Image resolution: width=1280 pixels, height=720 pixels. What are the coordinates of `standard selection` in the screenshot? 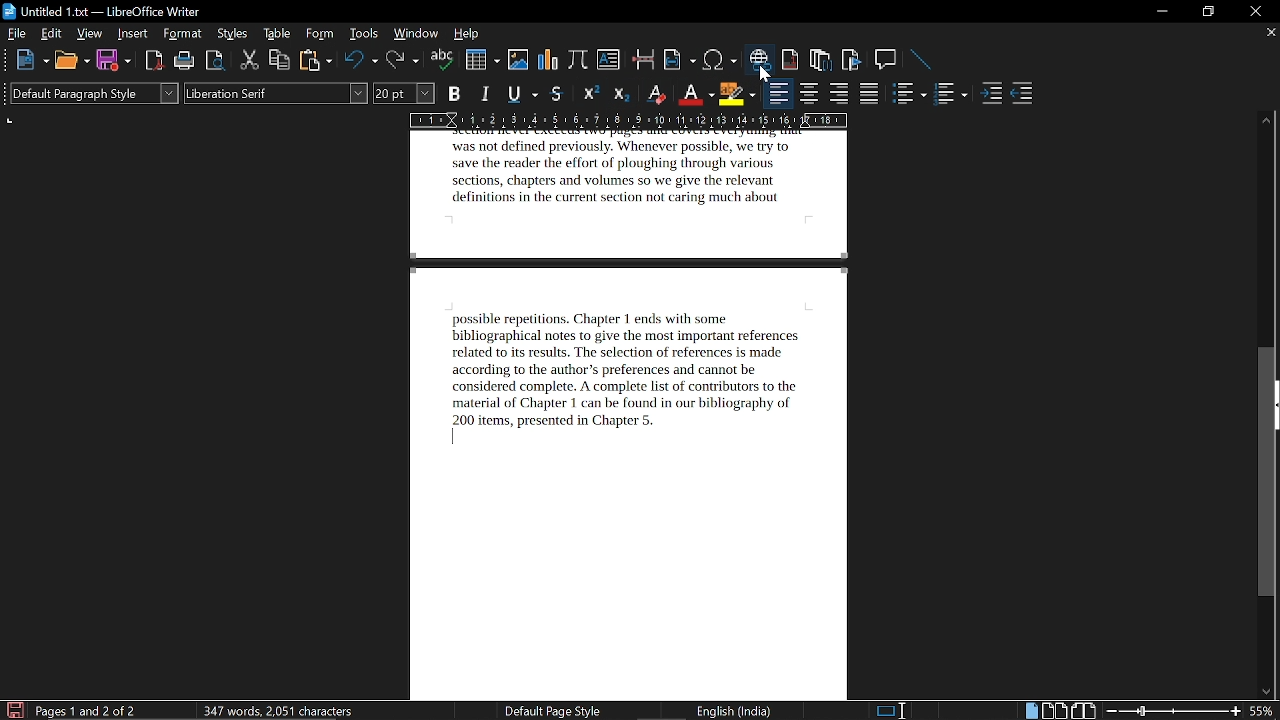 It's located at (895, 710).